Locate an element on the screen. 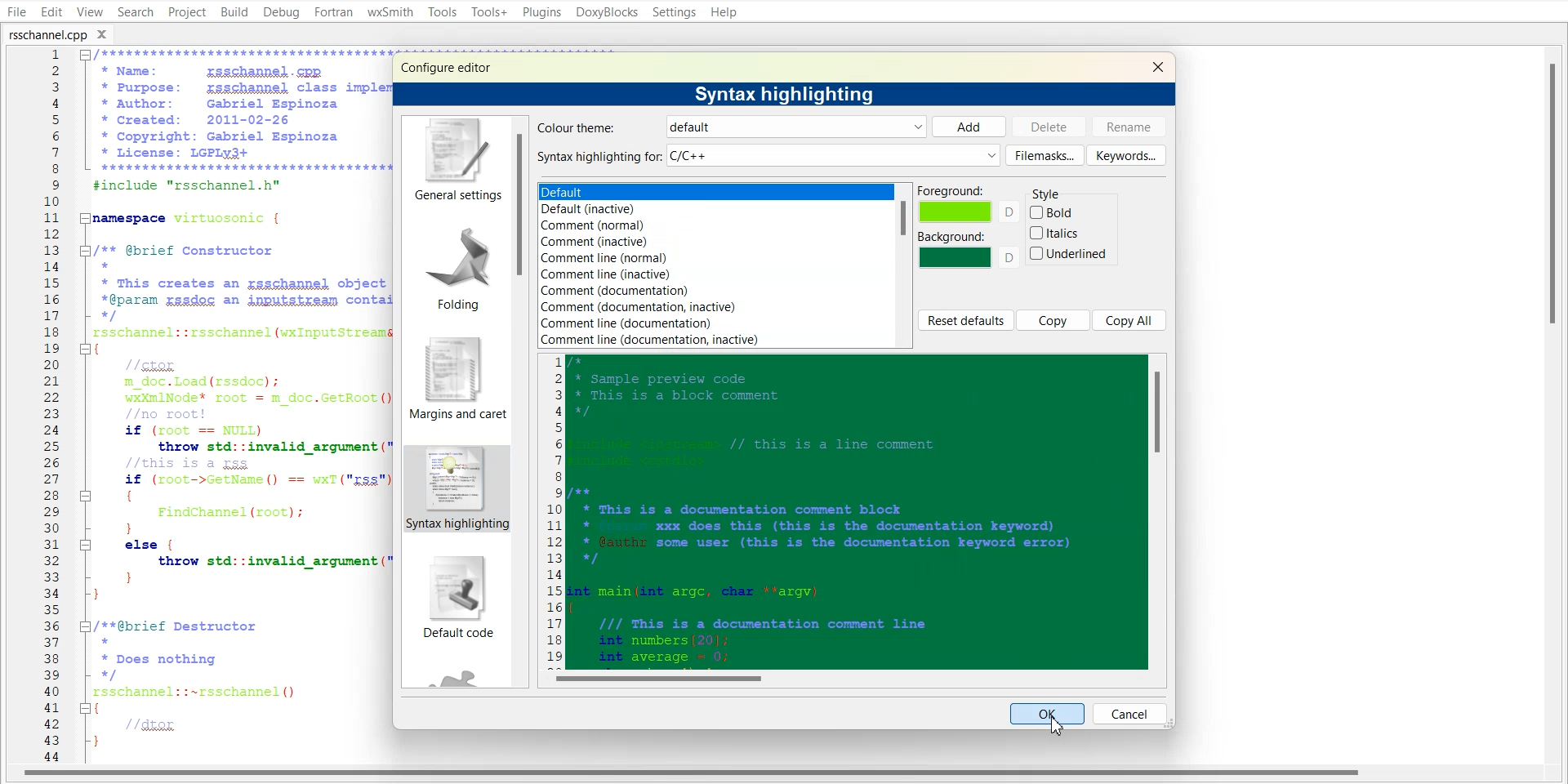  Foreground is located at coordinates (969, 204).